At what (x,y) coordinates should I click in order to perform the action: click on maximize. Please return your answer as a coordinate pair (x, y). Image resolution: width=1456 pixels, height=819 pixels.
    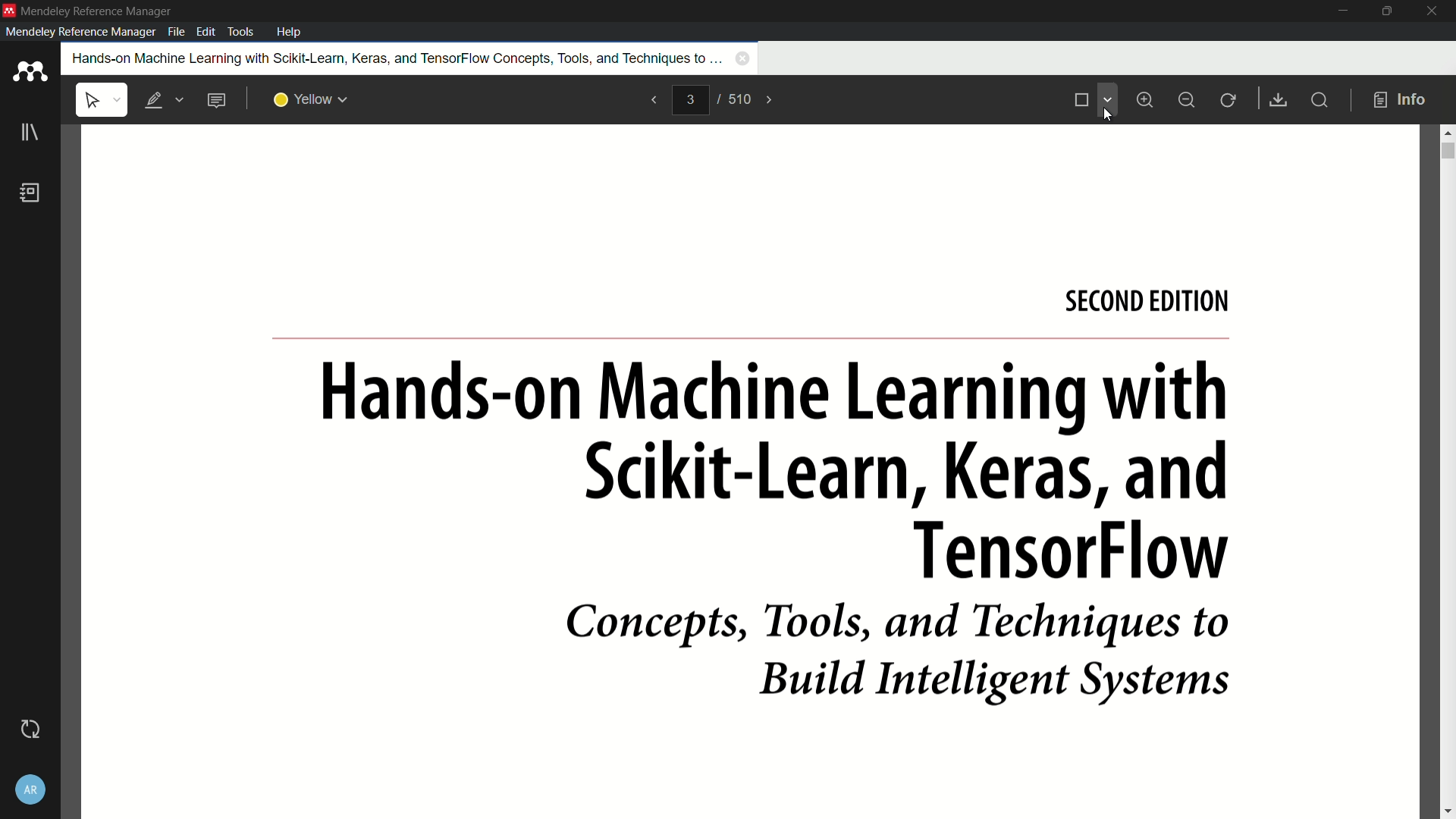
    Looking at the image, I should click on (1386, 11).